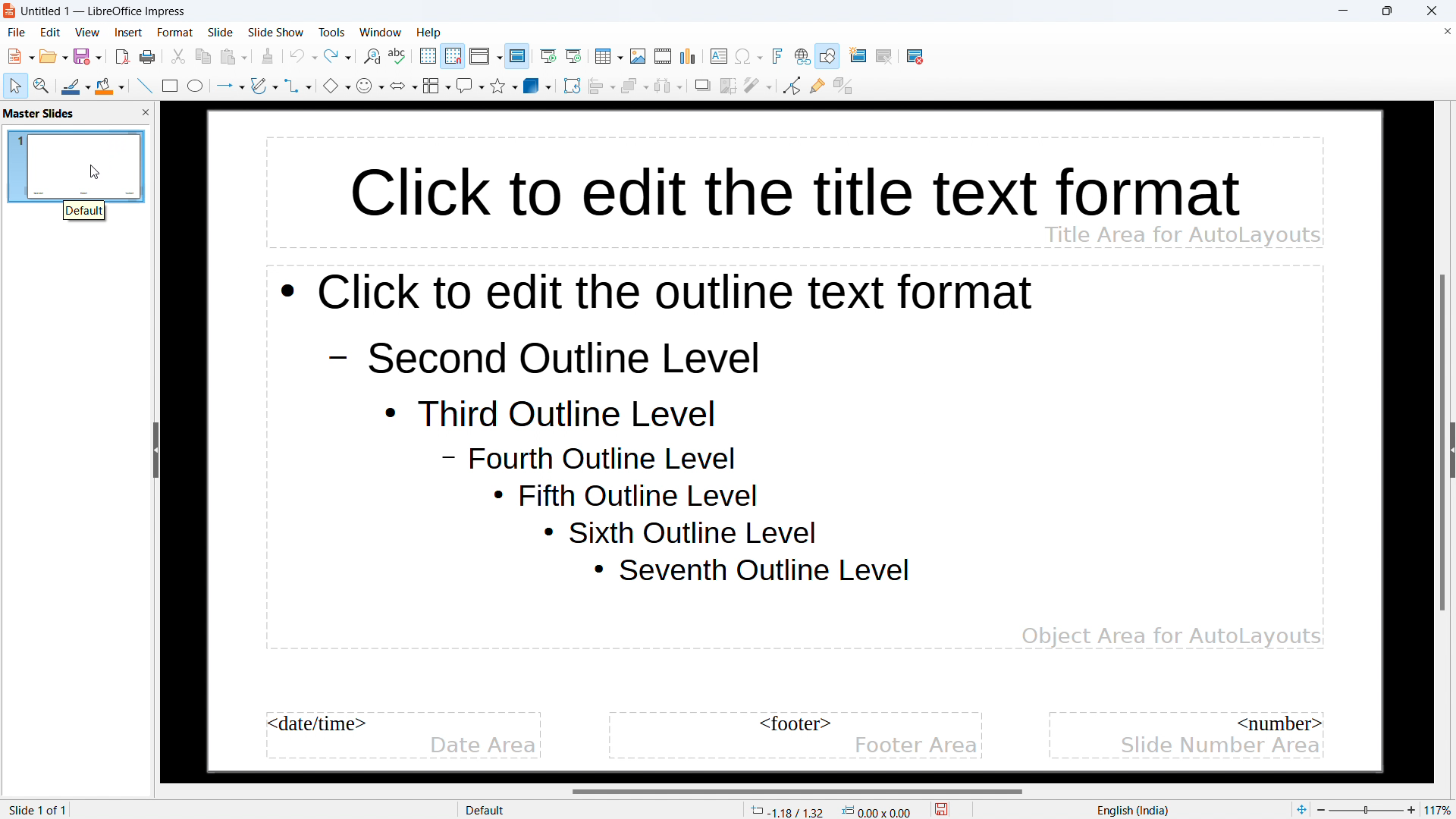  What do you see at coordinates (170, 86) in the screenshot?
I see `rectangle` at bounding box center [170, 86].